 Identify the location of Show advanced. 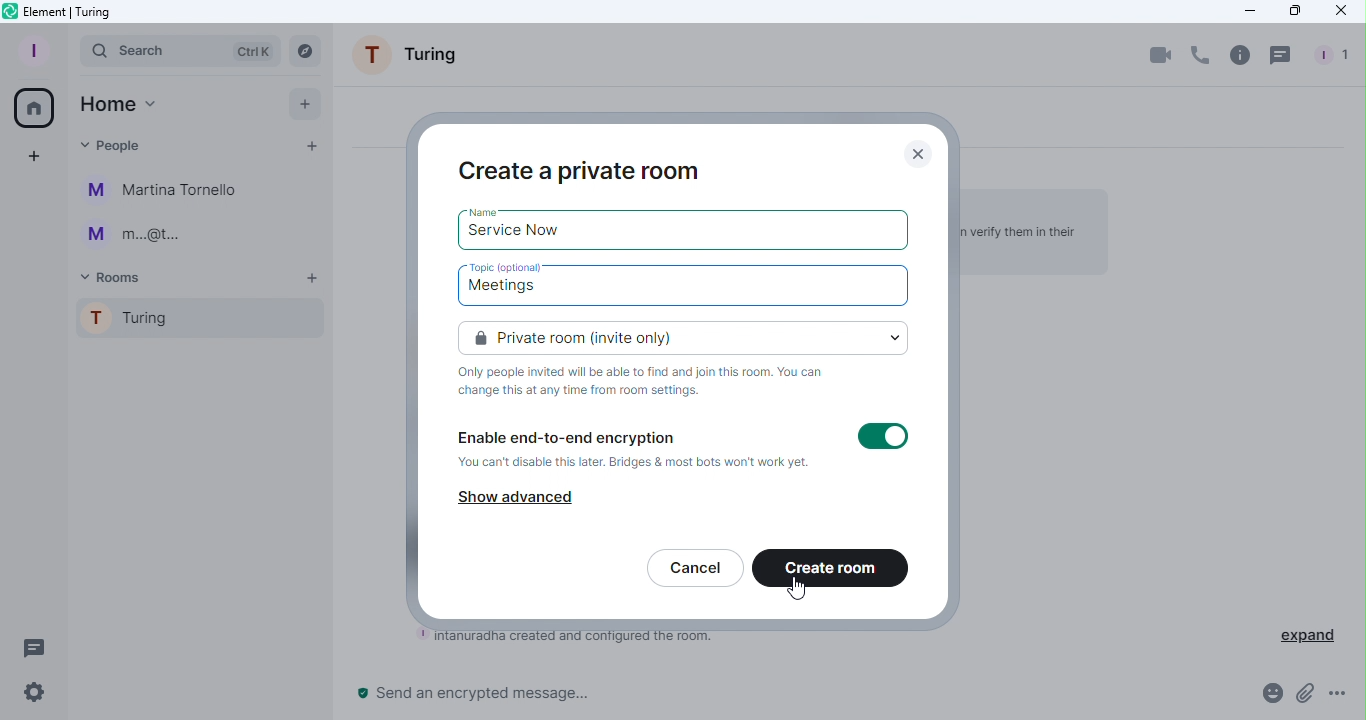
(518, 496).